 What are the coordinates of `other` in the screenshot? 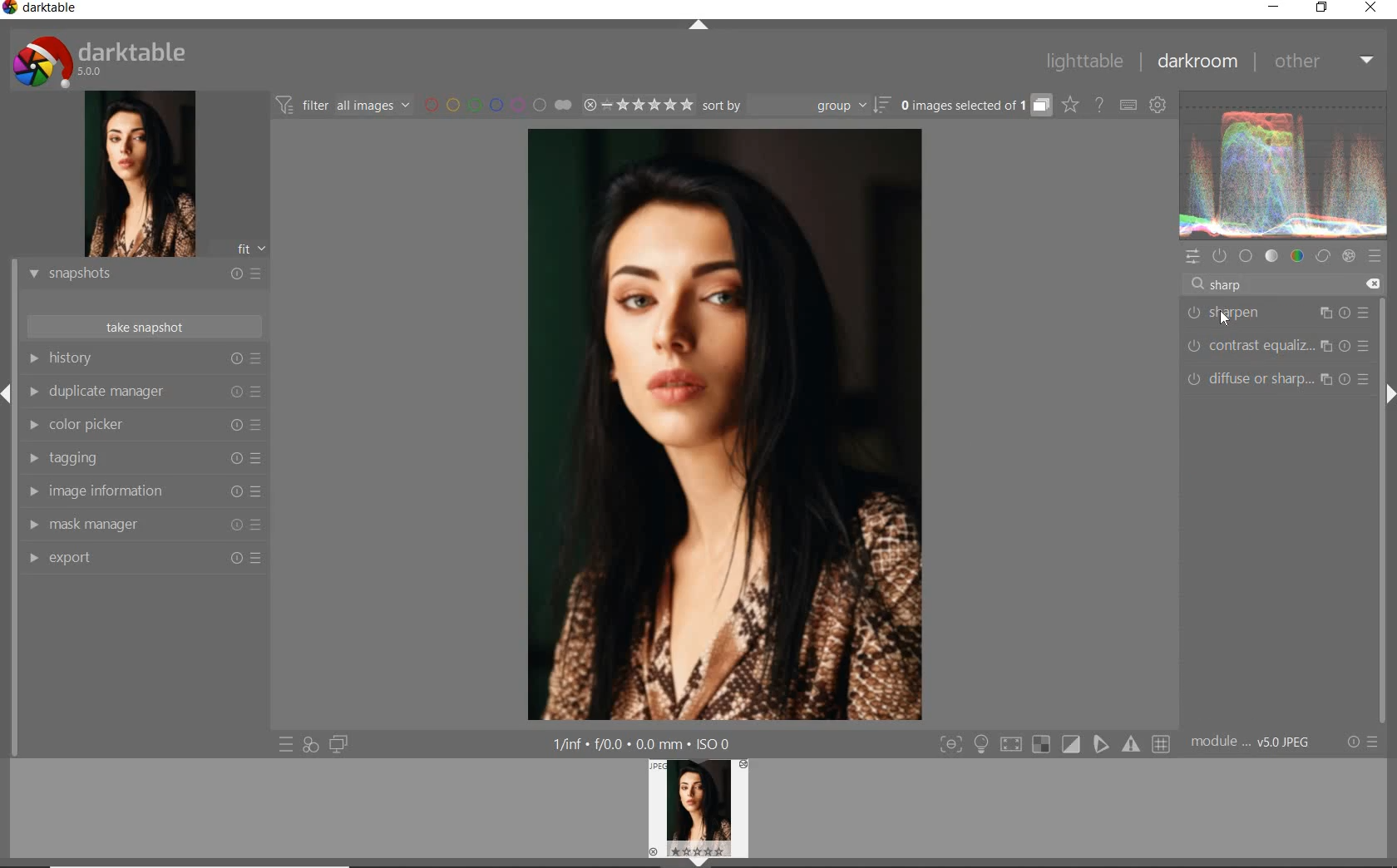 It's located at (1320, 62).